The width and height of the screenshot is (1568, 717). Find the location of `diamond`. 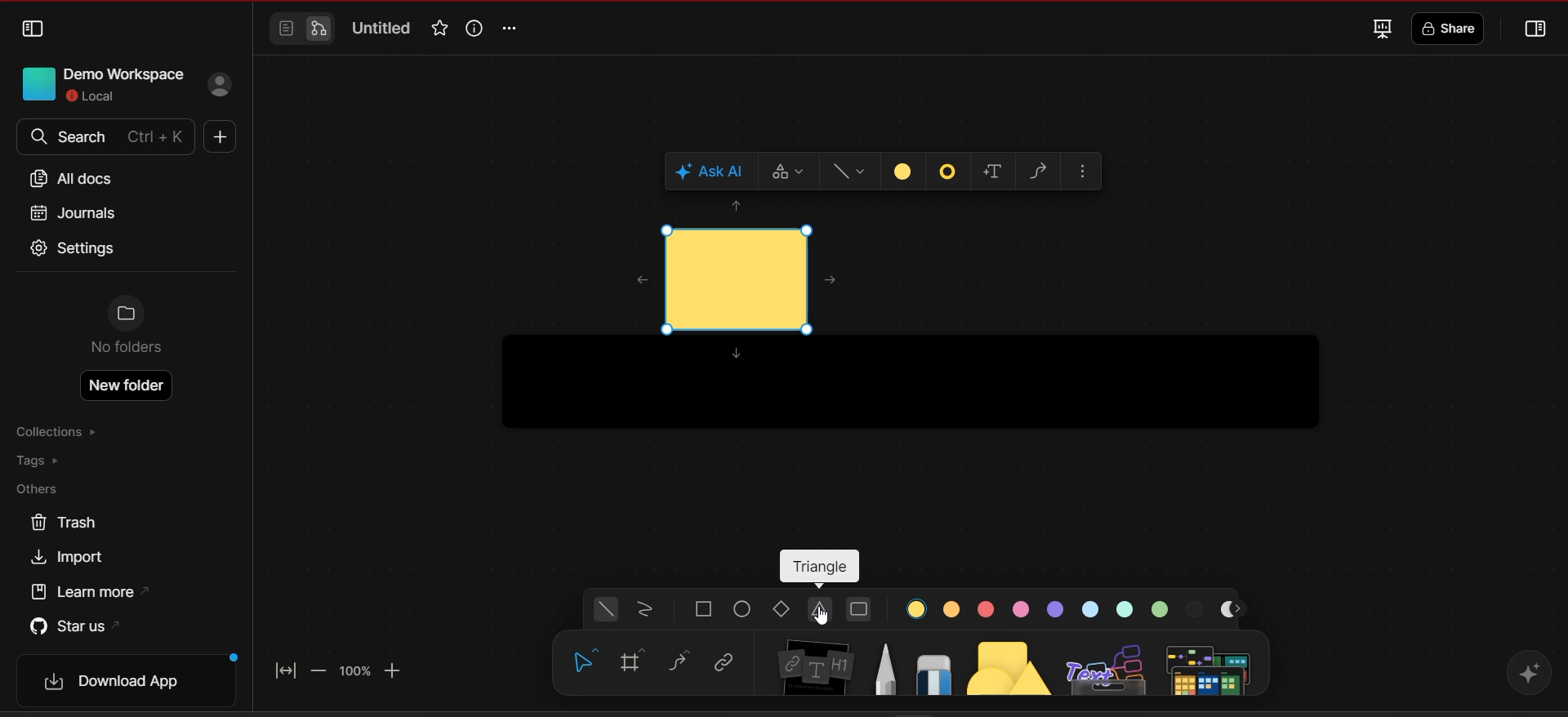

diamond is located at coordinates (784, 611).